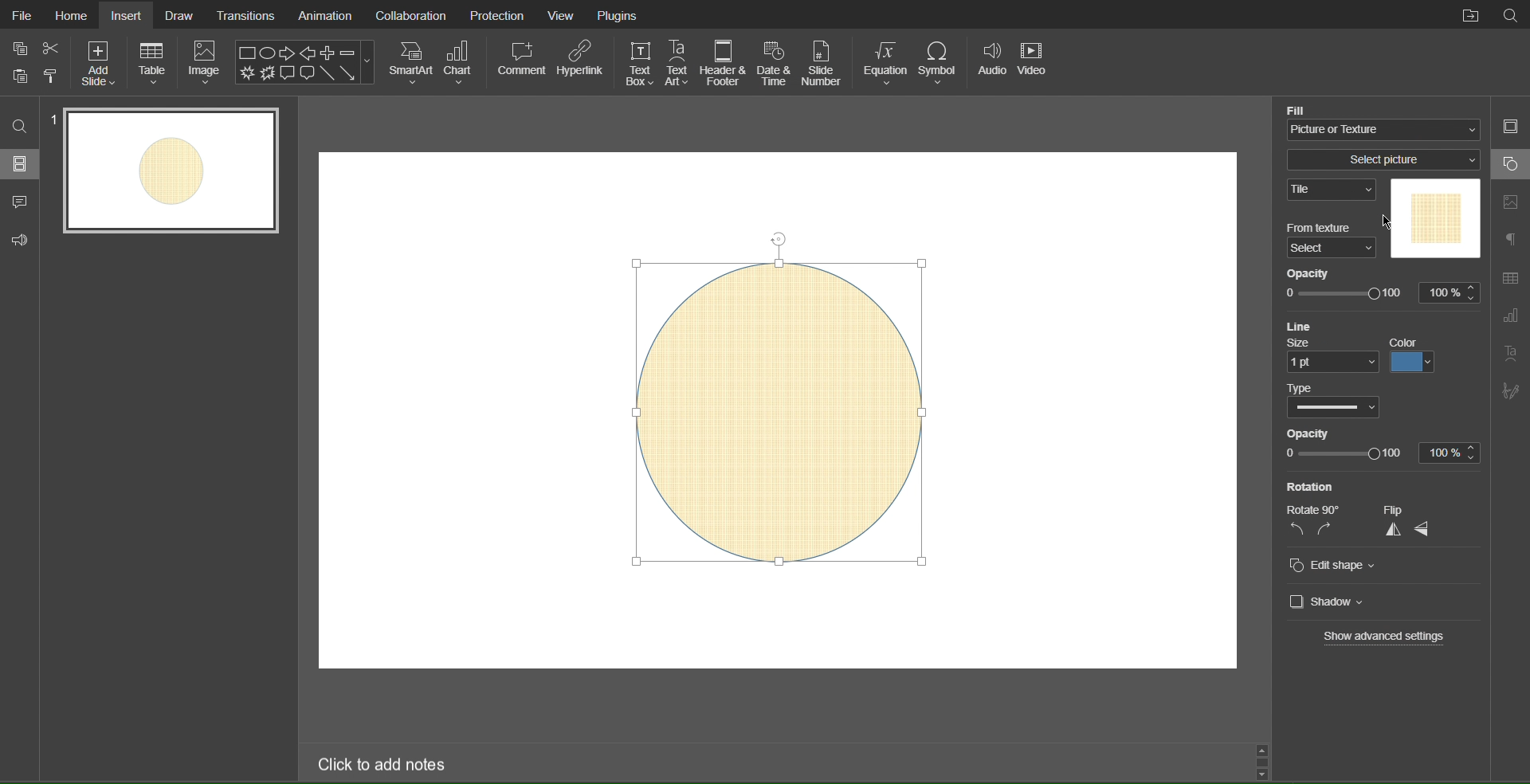 The image size is (1530, 784). Describe the element at coordinates (181, 14) in the screenshot. I see `Draw` at that location.